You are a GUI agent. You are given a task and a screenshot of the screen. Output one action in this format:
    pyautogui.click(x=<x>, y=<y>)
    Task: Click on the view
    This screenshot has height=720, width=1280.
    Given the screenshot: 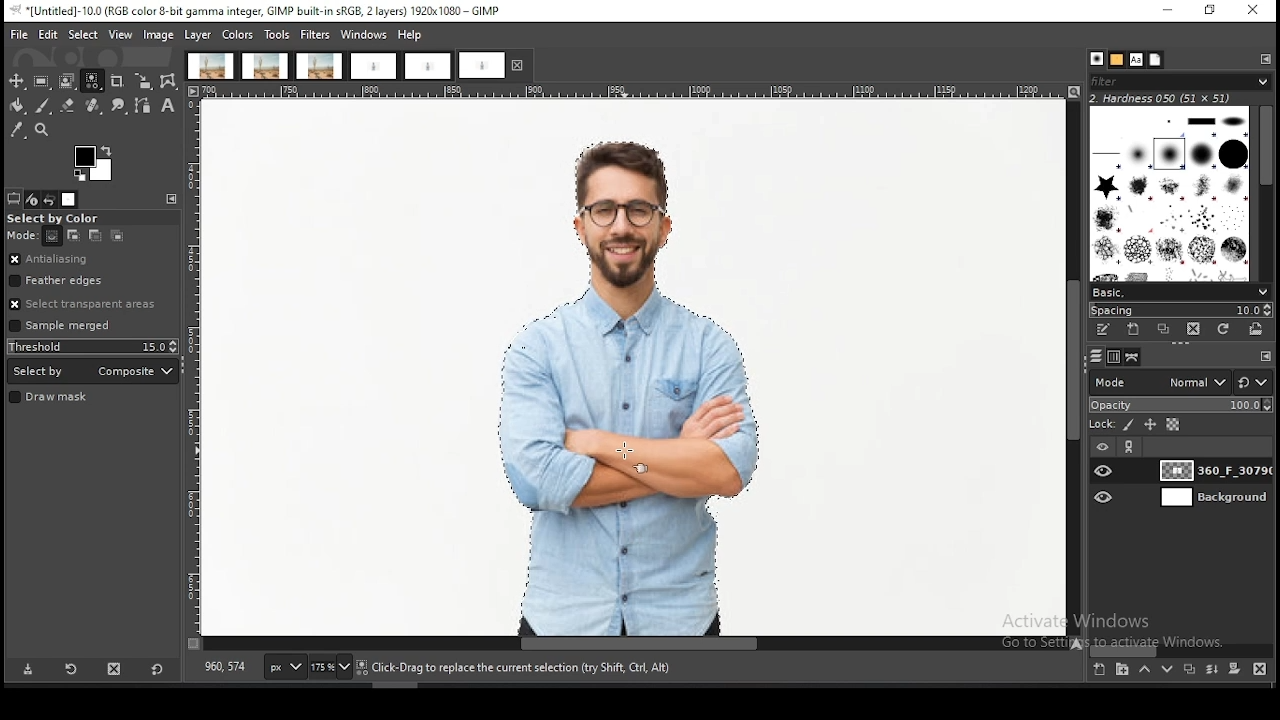 What is the action you would take?
    pyautogui.click(x=122, y=34)
    